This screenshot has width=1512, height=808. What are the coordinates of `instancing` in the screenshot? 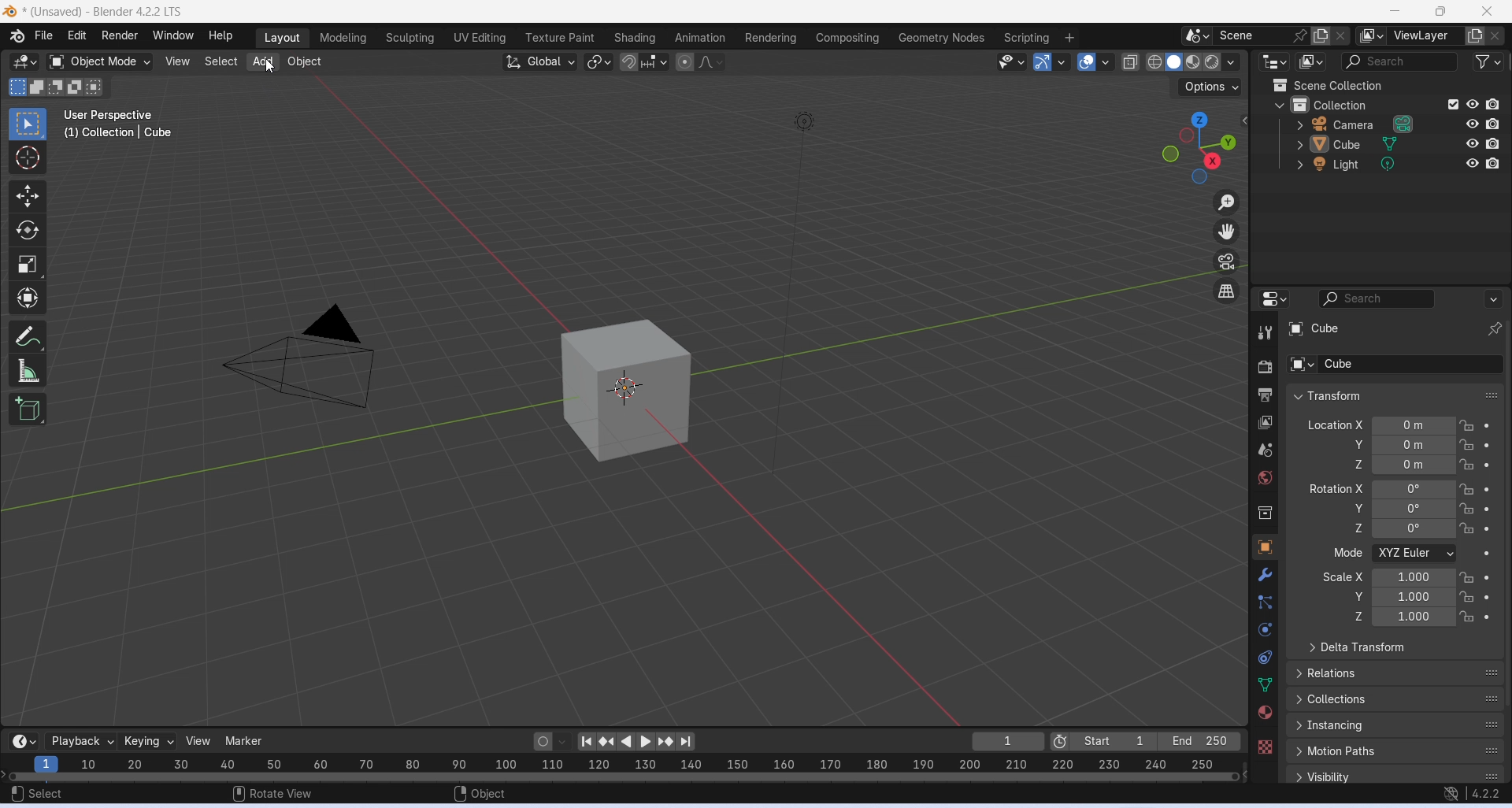 It's located at (1396, 725).